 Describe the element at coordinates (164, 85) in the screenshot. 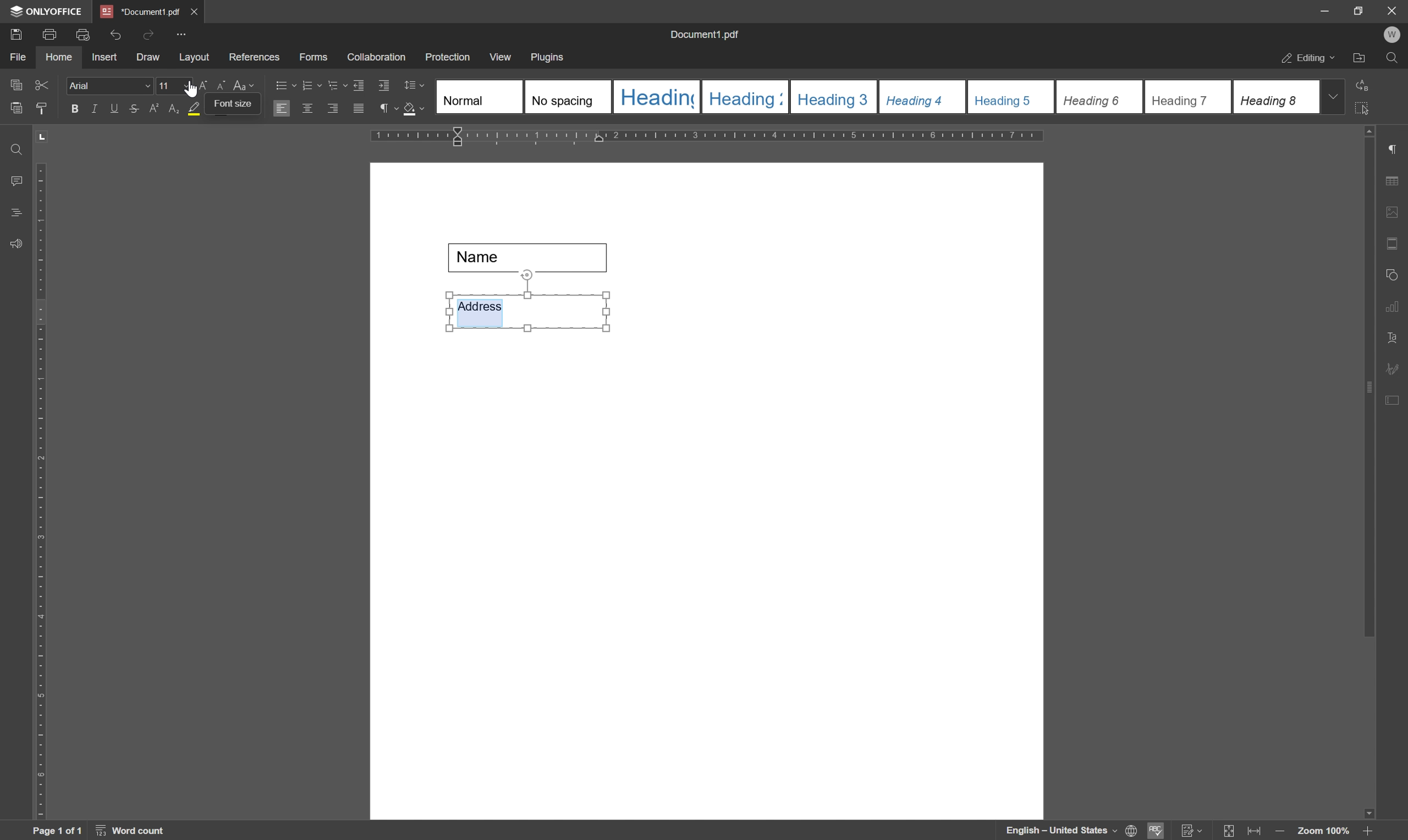

I see `font size` at that location.